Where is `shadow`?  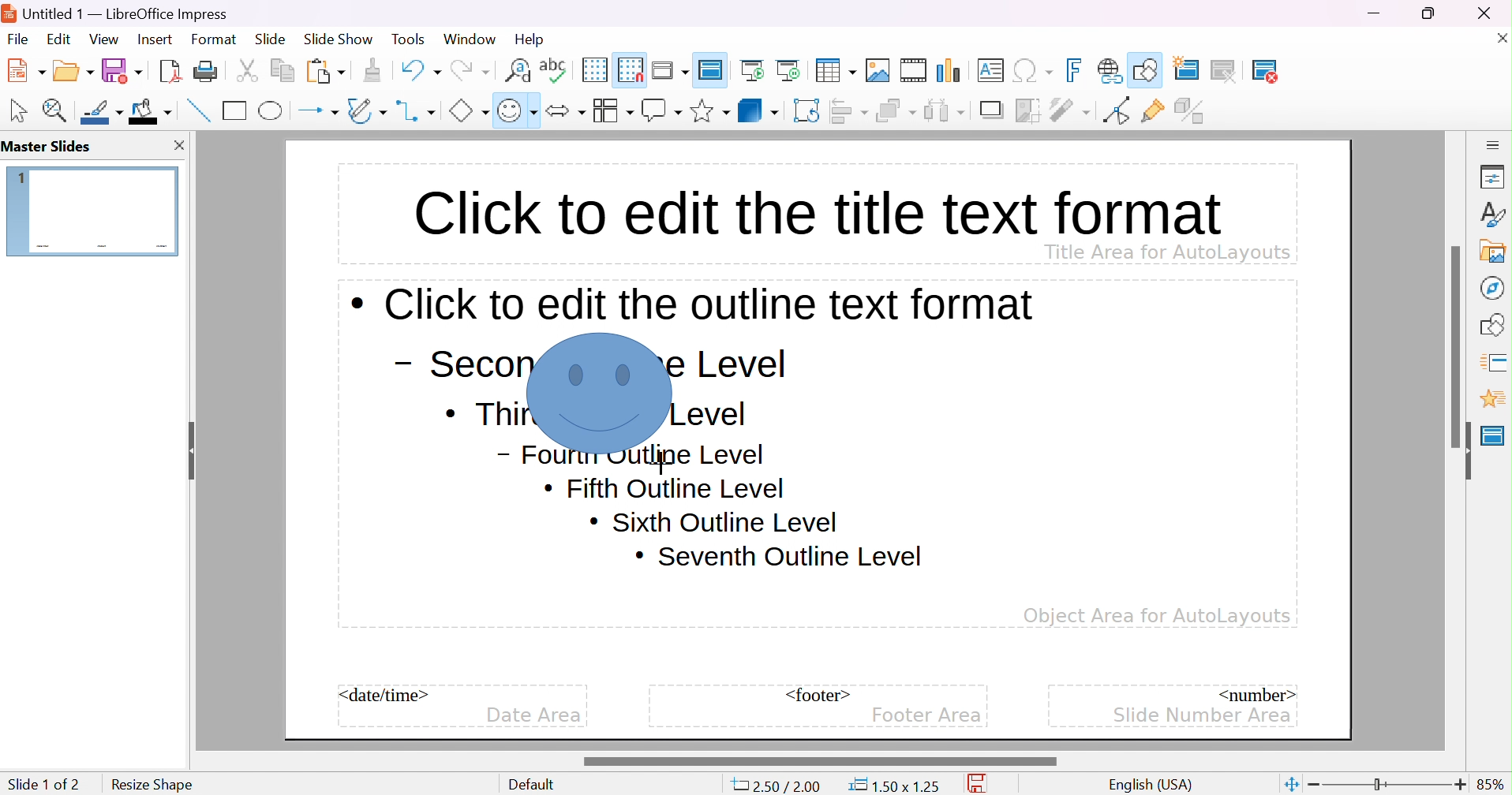
shadow is located at coordinates (994, 111).